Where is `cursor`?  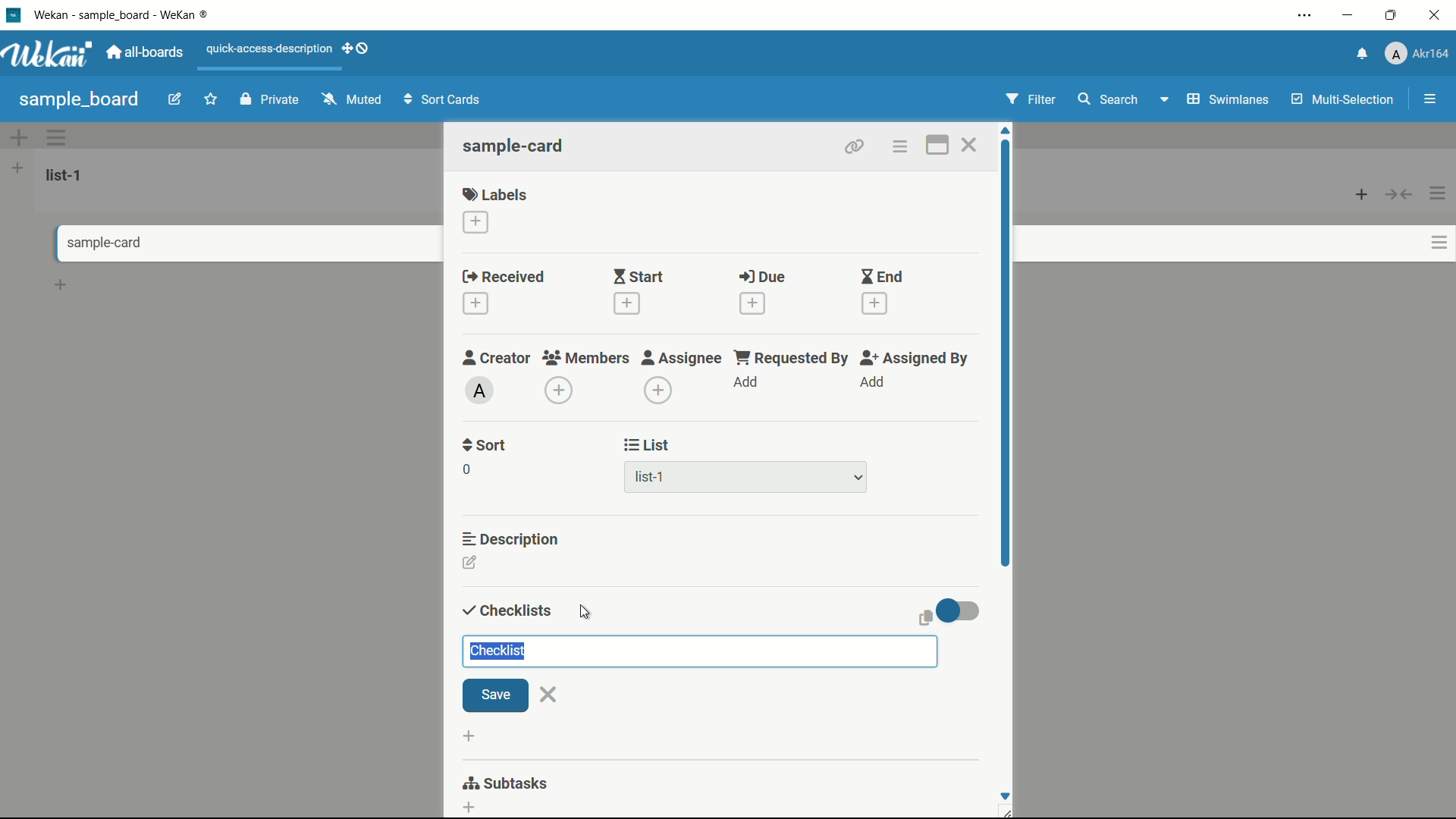
cursor is located at coordinates (585, 613).